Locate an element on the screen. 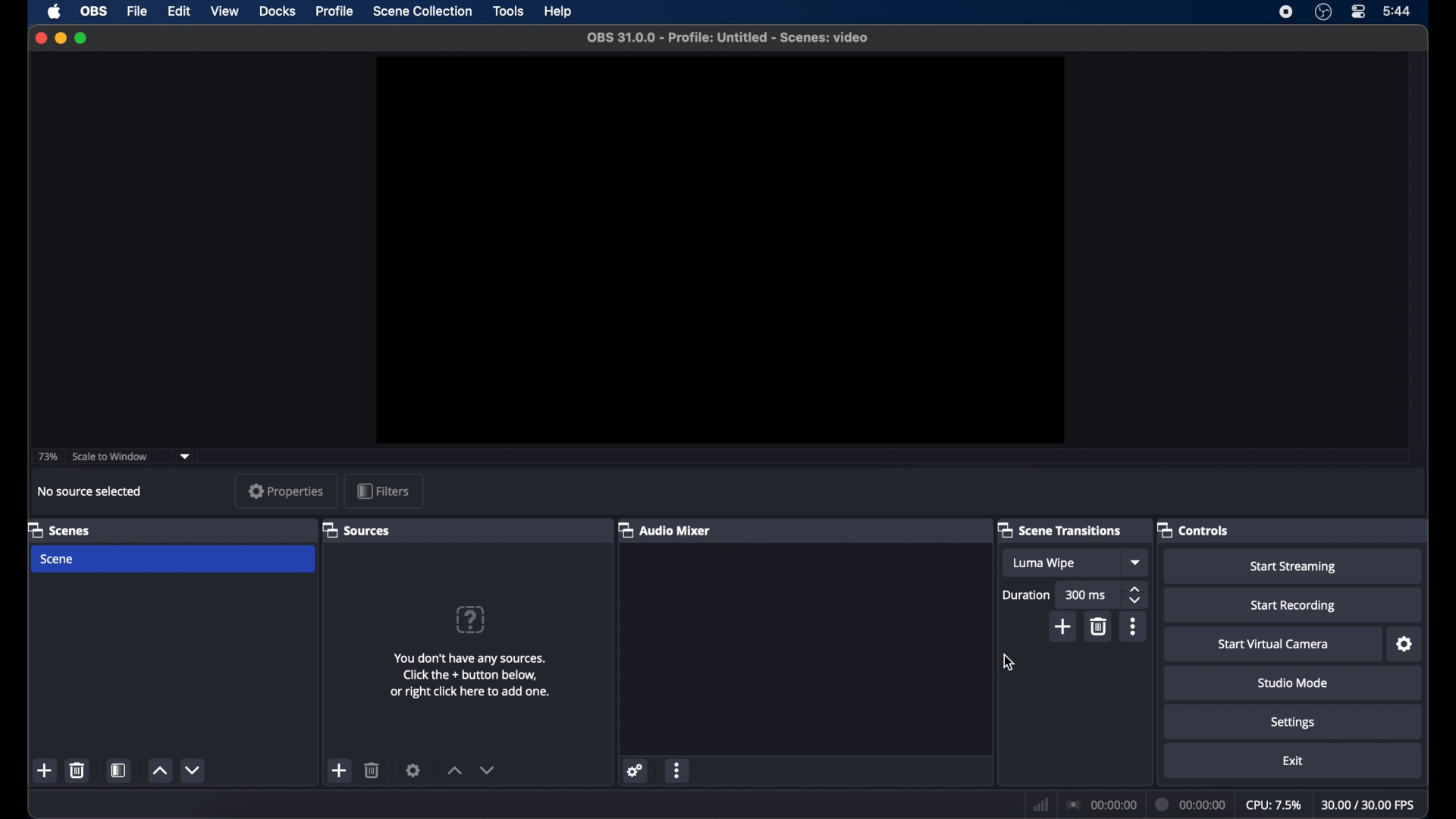  view is located at coordinates (224, 11).